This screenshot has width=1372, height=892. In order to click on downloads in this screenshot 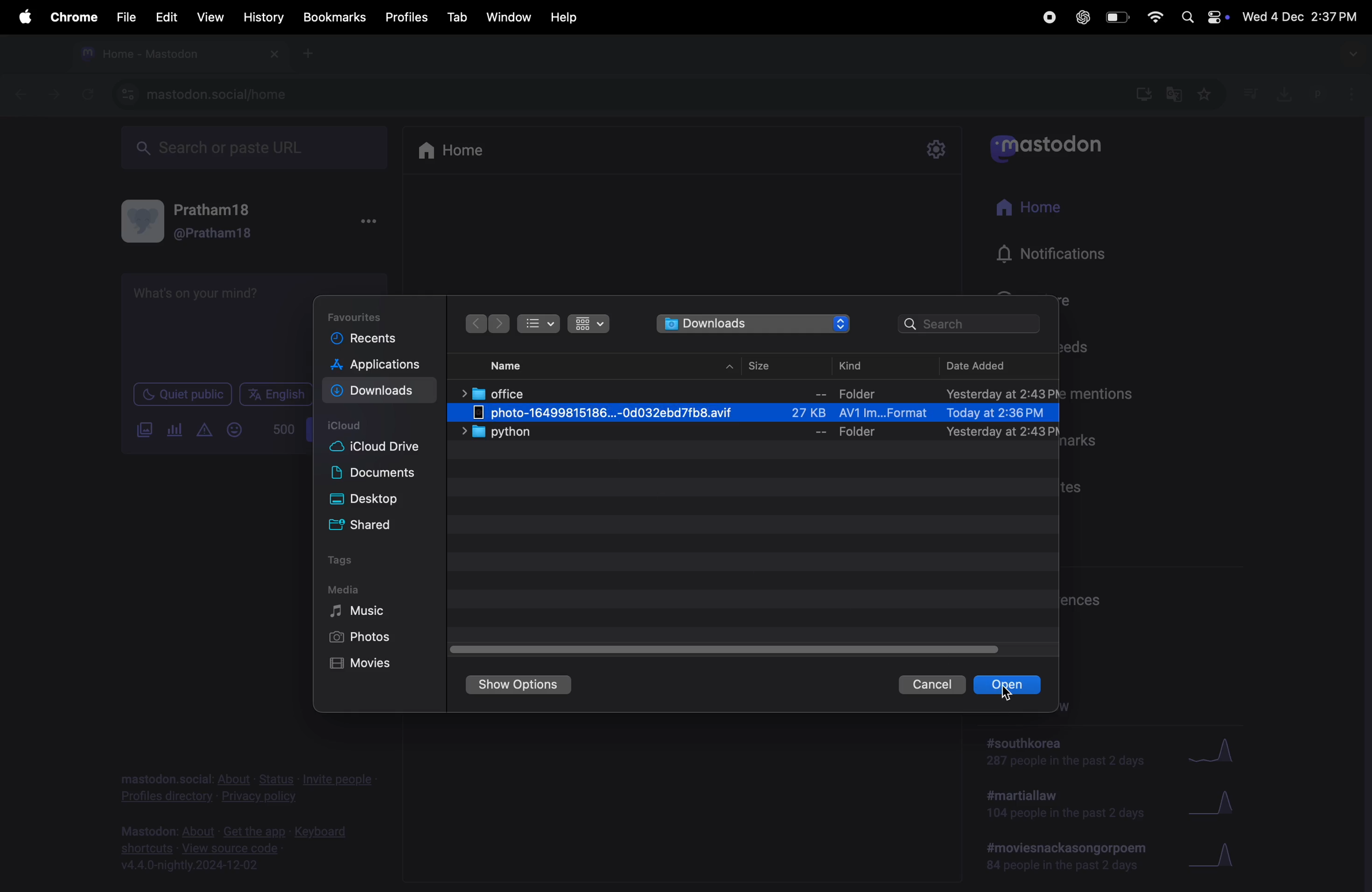, I will do `click(377, 392)`.